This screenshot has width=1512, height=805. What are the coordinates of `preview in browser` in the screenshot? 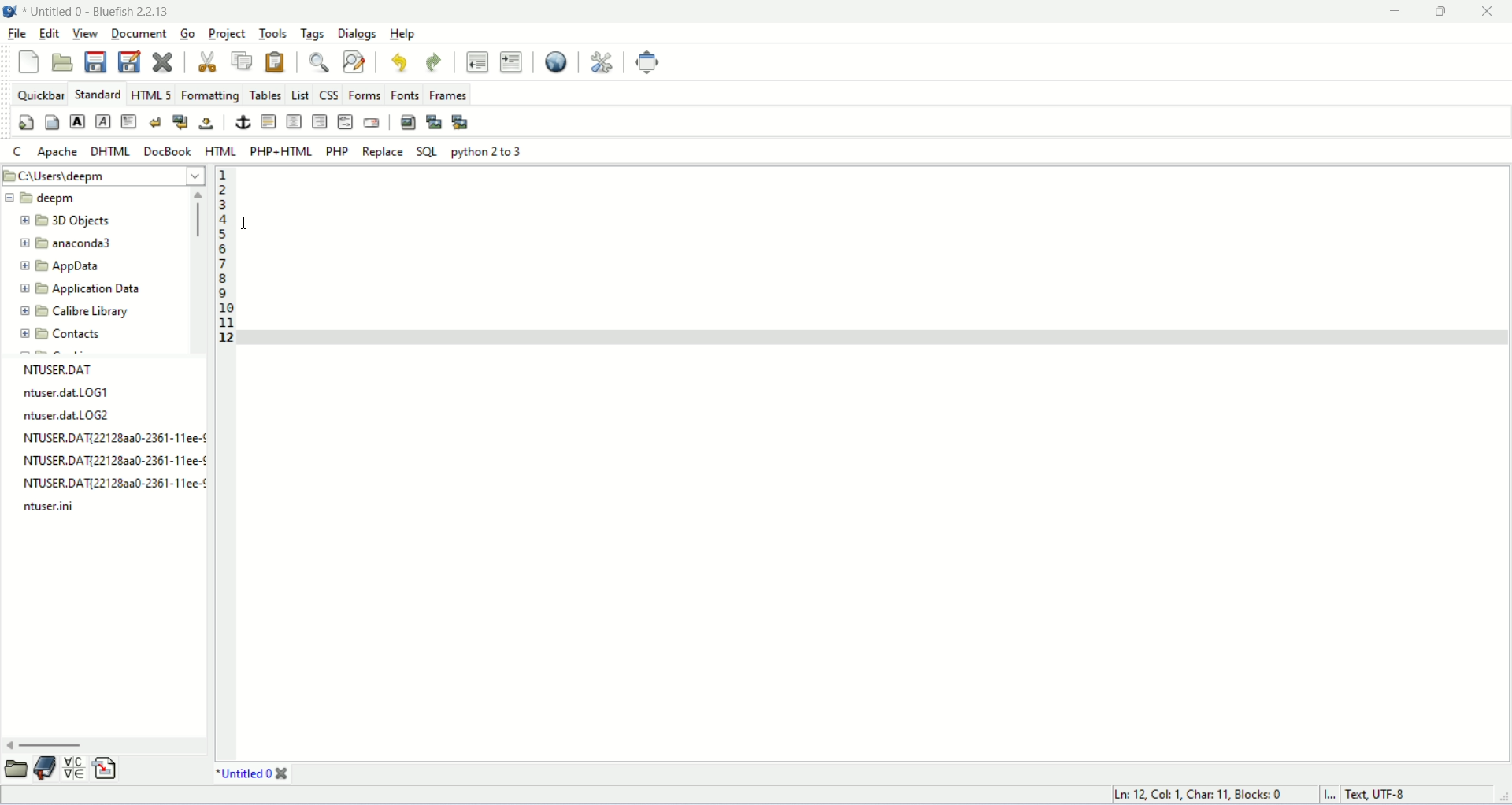 It's located at (554, 61).